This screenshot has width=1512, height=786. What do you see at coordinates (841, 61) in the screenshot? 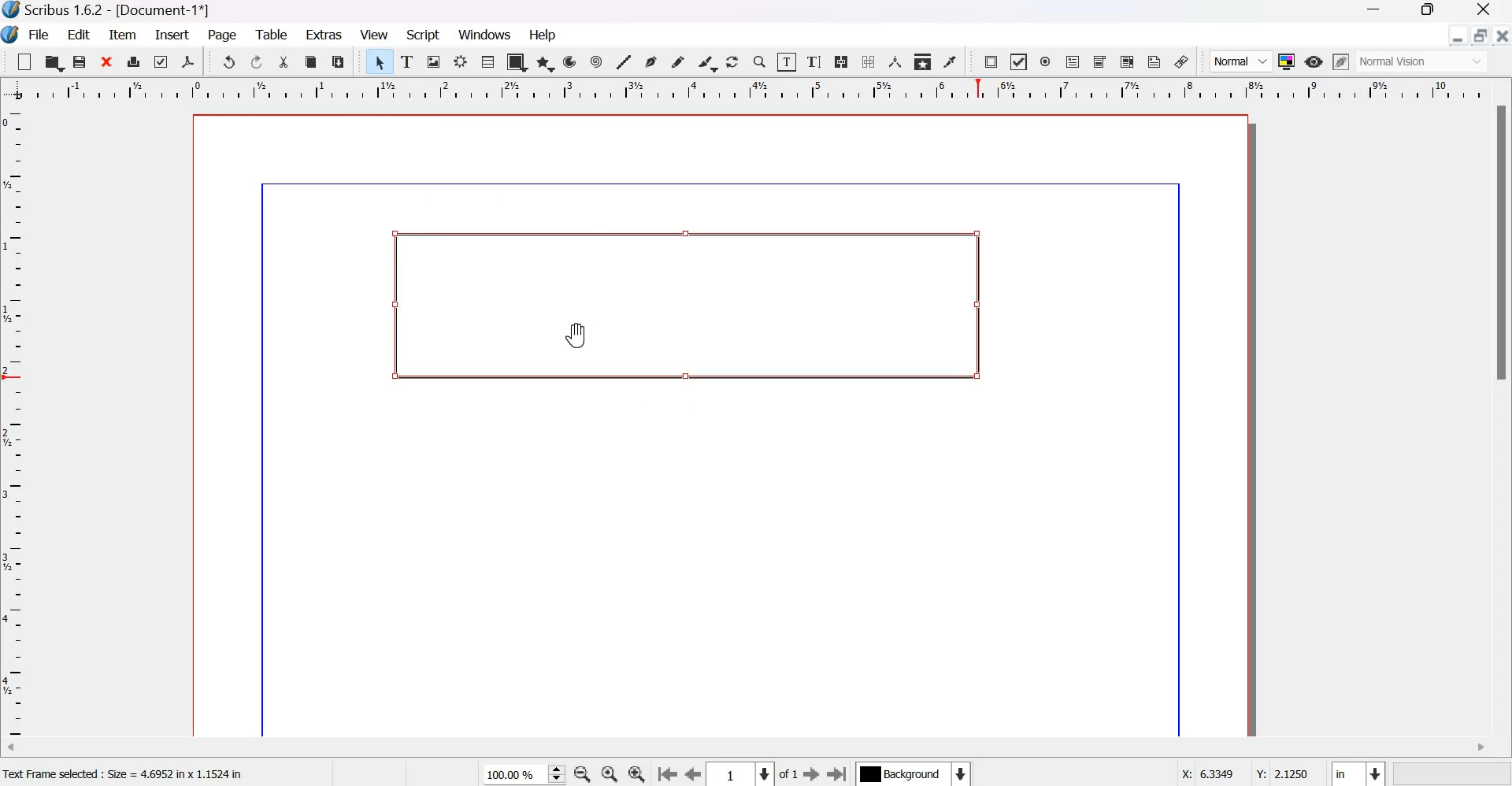
I see `Link text frames` at bounding box center [841, 61].